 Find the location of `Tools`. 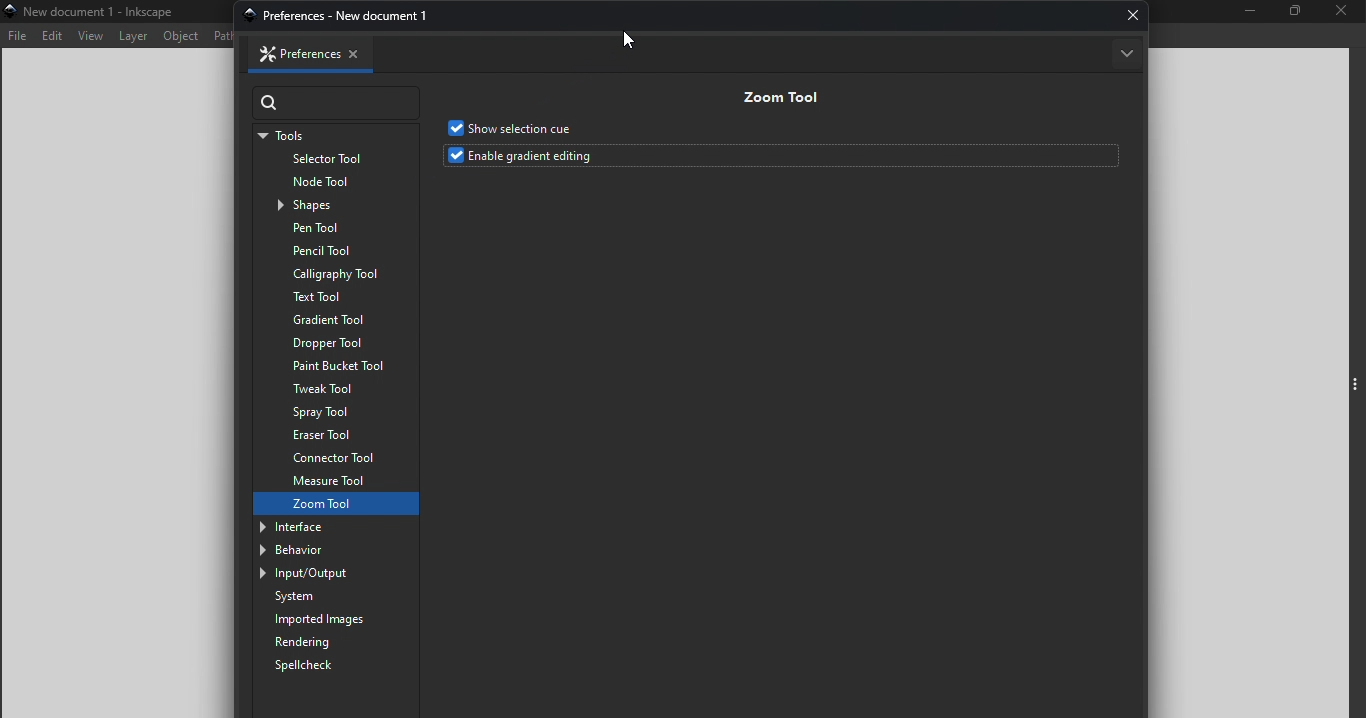

Tools is located at coordinates (333, 134).